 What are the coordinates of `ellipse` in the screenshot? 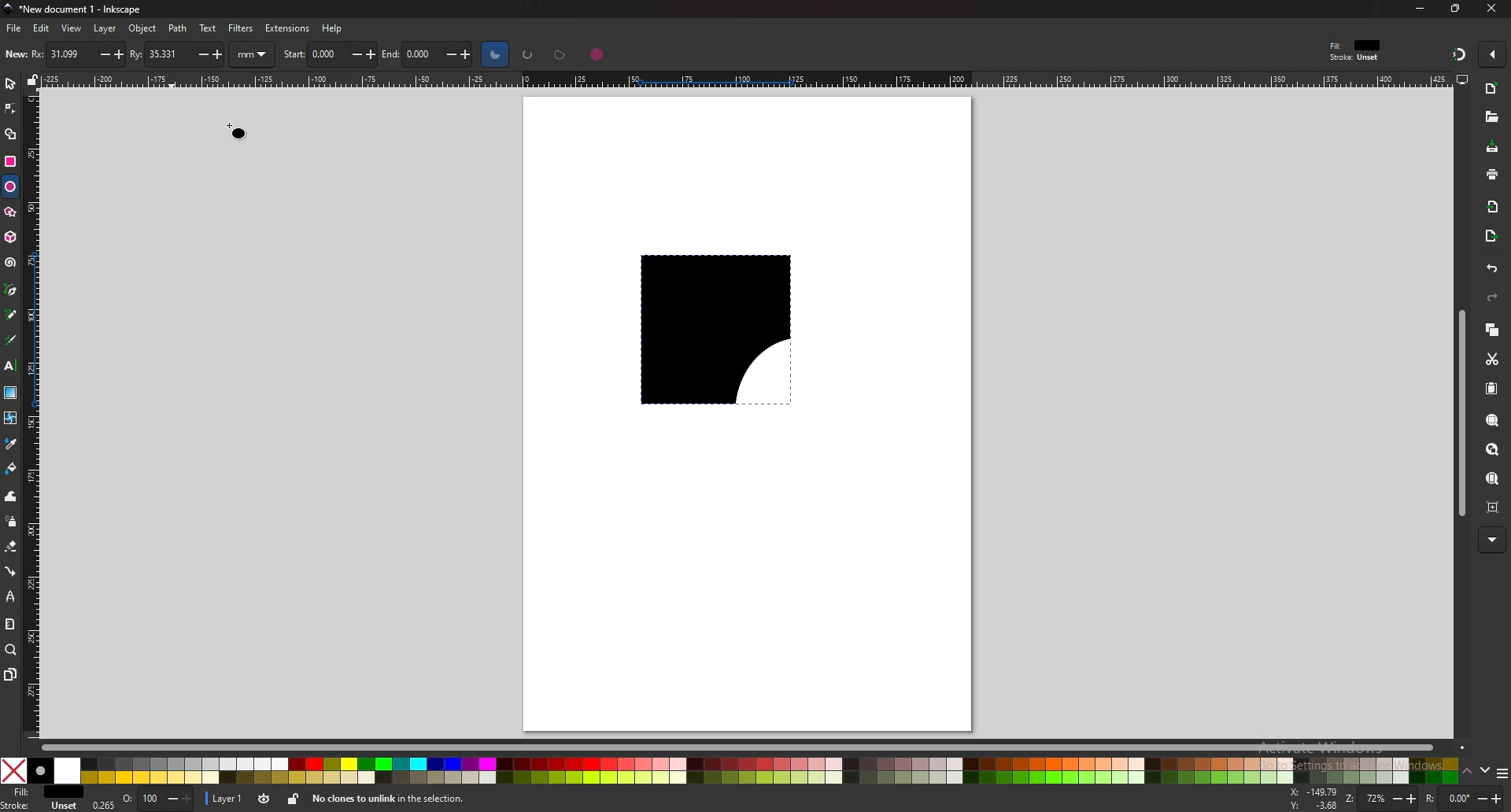 It's located at (10, 186).